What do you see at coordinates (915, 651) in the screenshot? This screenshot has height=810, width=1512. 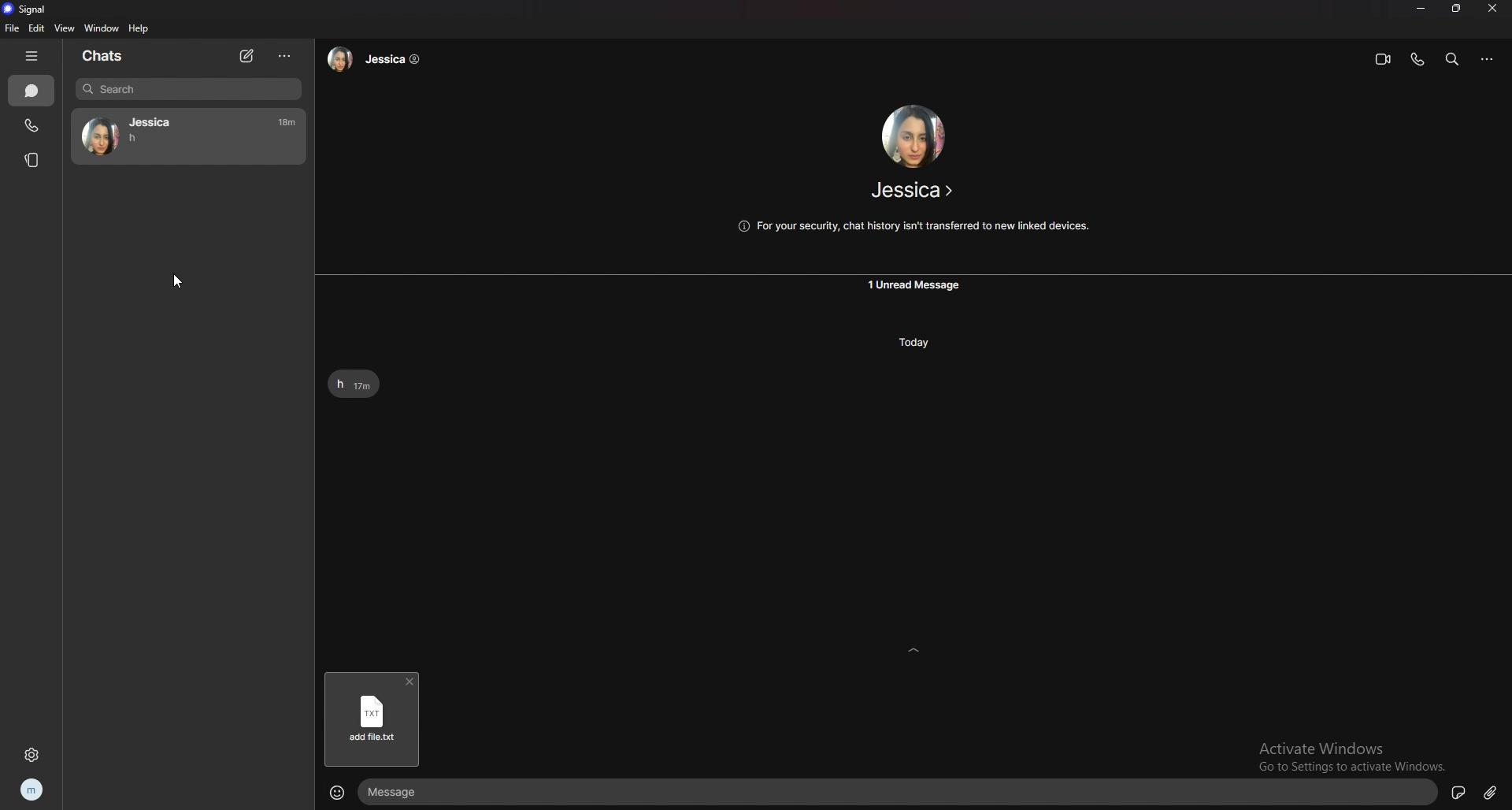 I see `expand text box` at bounding box center [915, 651].